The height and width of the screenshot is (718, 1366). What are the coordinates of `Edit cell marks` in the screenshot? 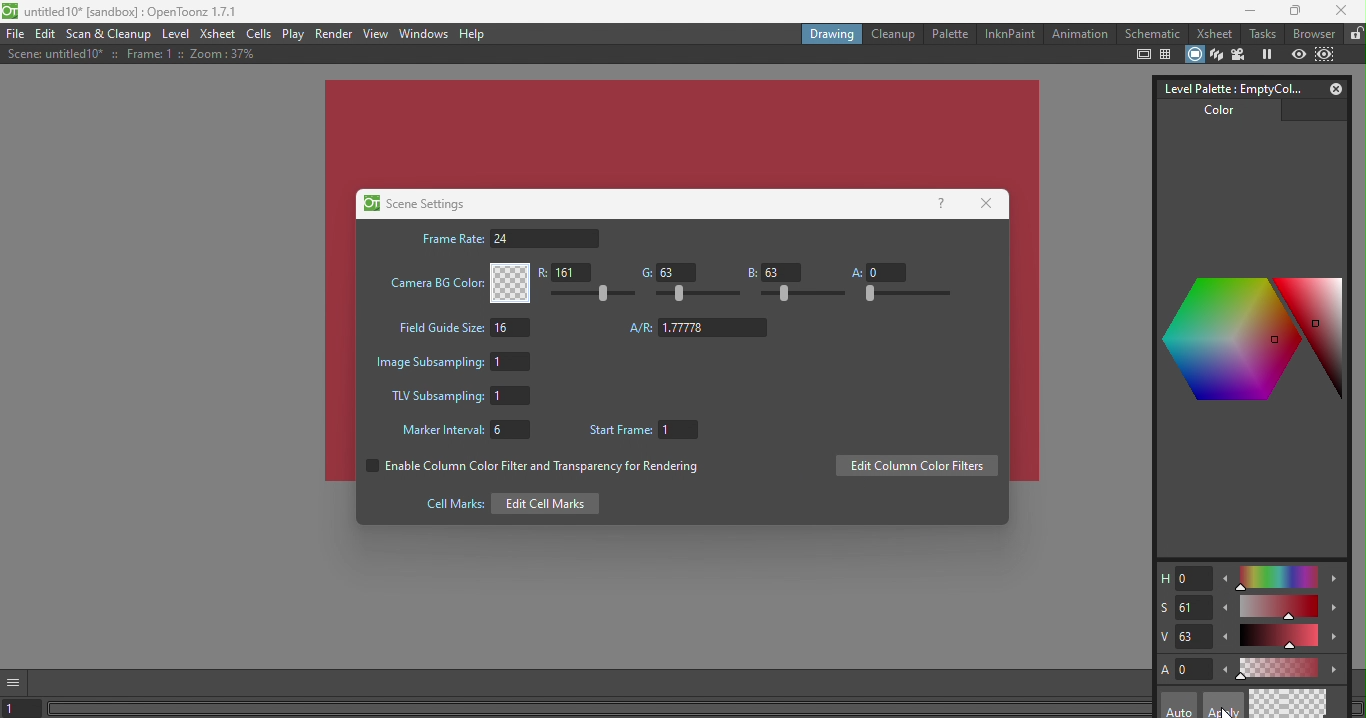 It's located at (506, 503).